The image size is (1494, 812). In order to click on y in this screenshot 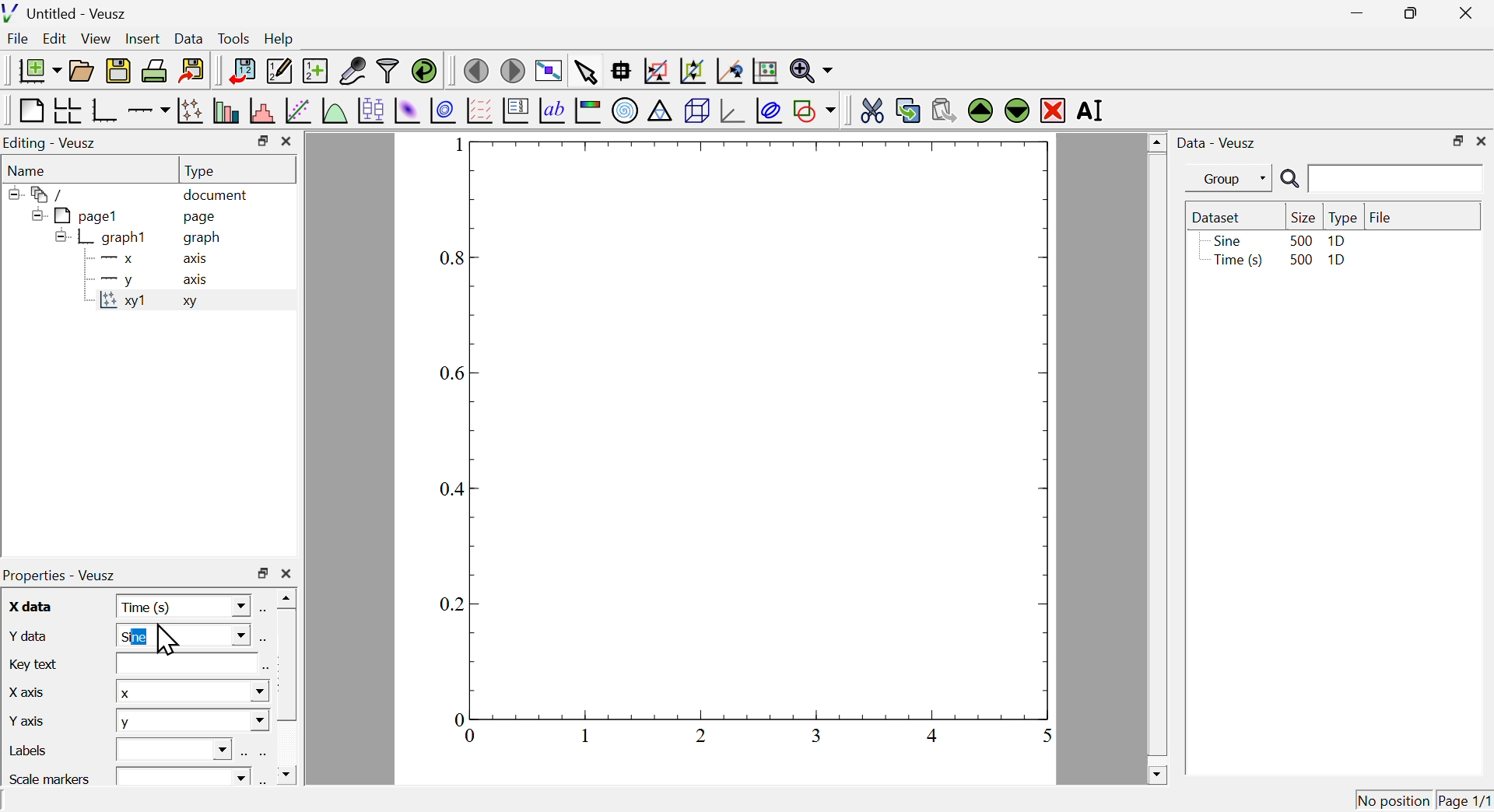, I will do `click(114, 281)`.